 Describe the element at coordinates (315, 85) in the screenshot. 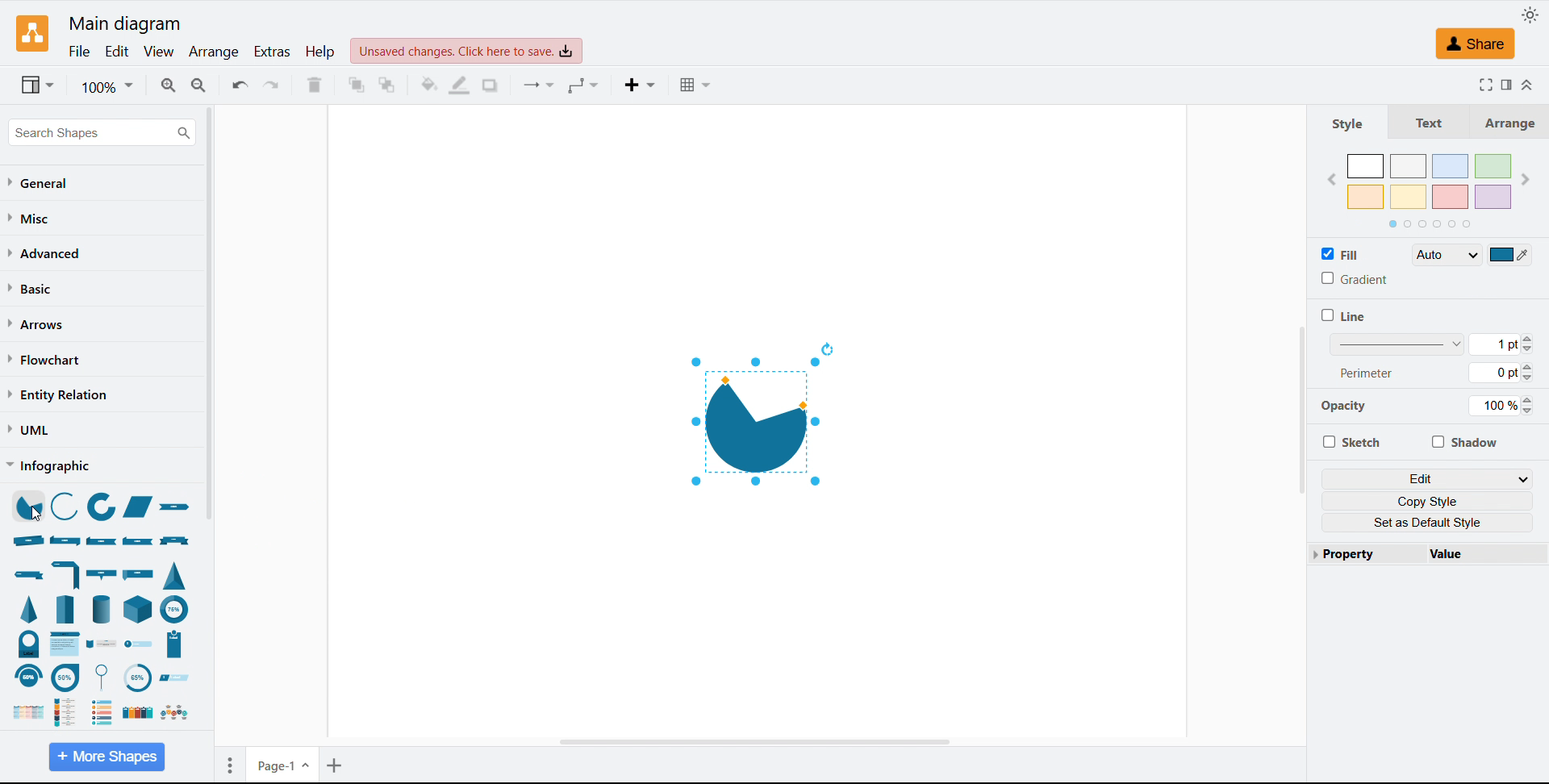

I see `Delete ` at that location.